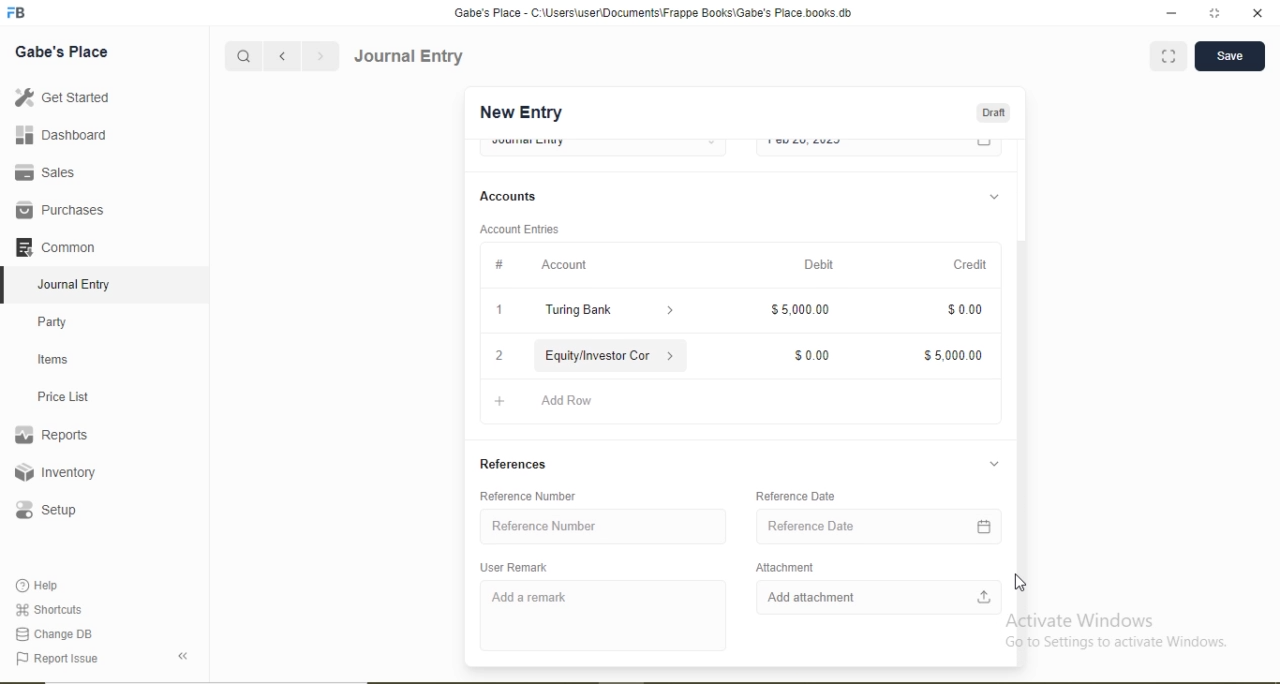  Describe the element at coordinates (500, 401) in the screenshot. I see `Add` at that location.